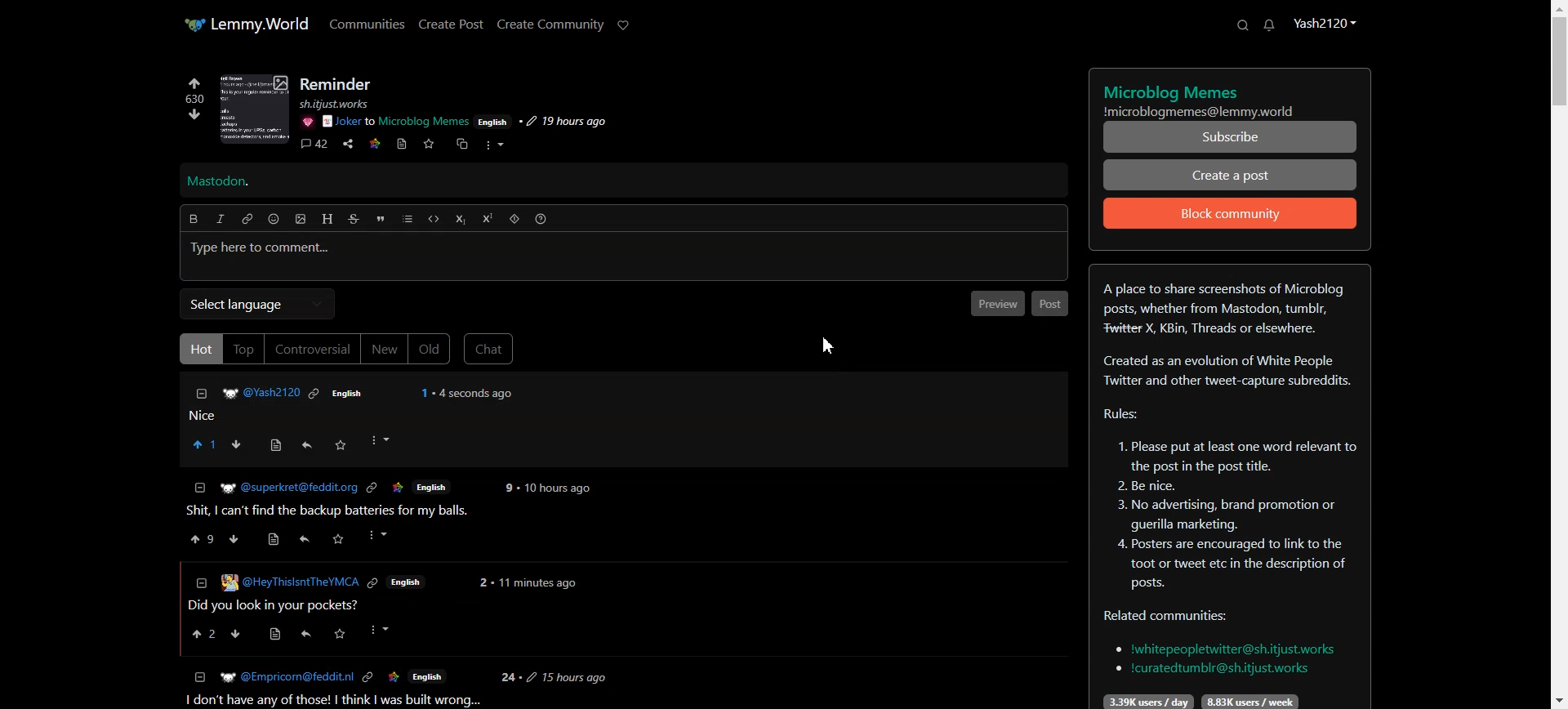 The width and height of the screenshot is (1568, 709). Describe the element at coordinates (434, 488) in the screenshot. I see `` at that location.